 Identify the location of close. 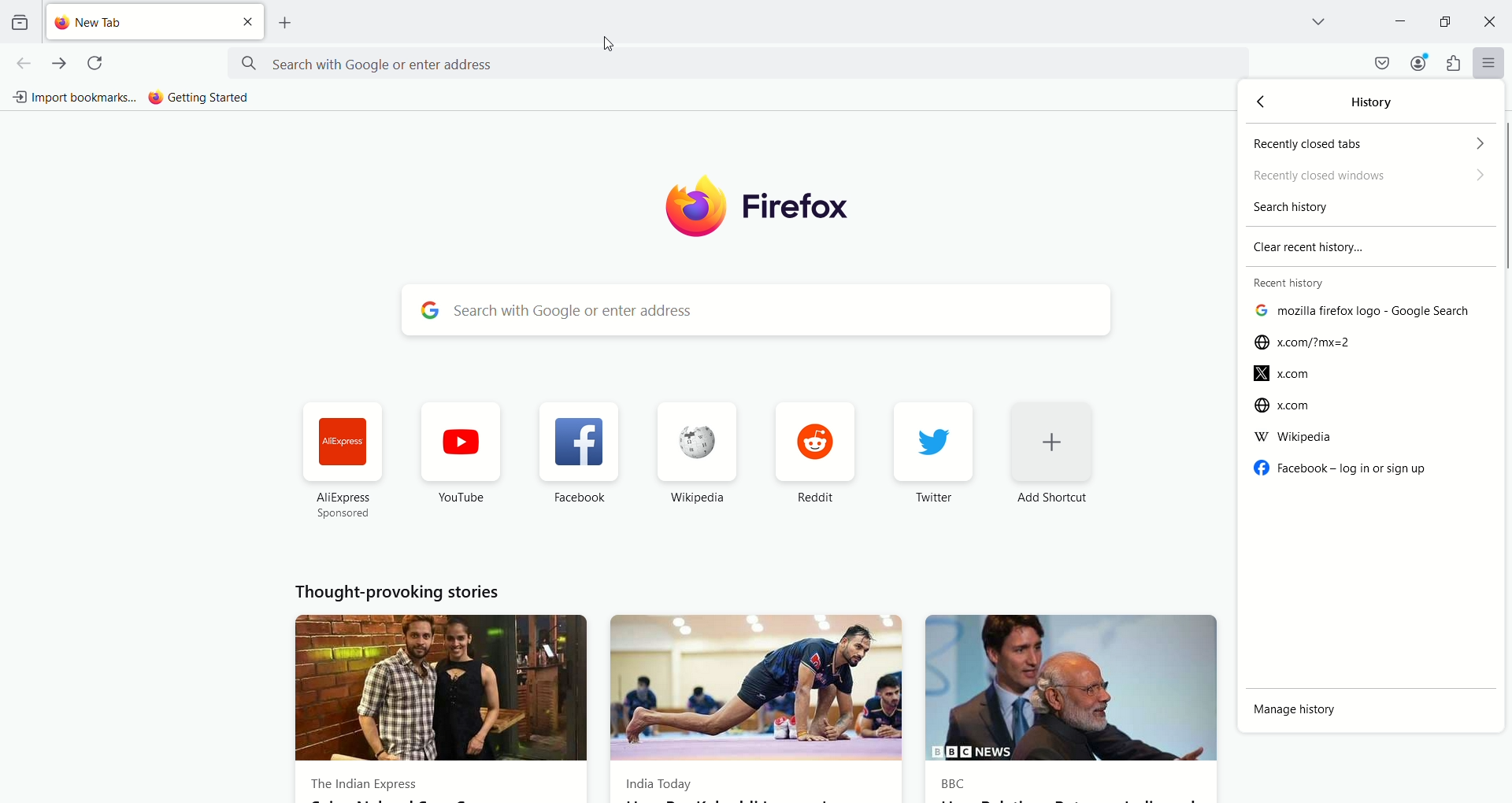
(1485, 22).